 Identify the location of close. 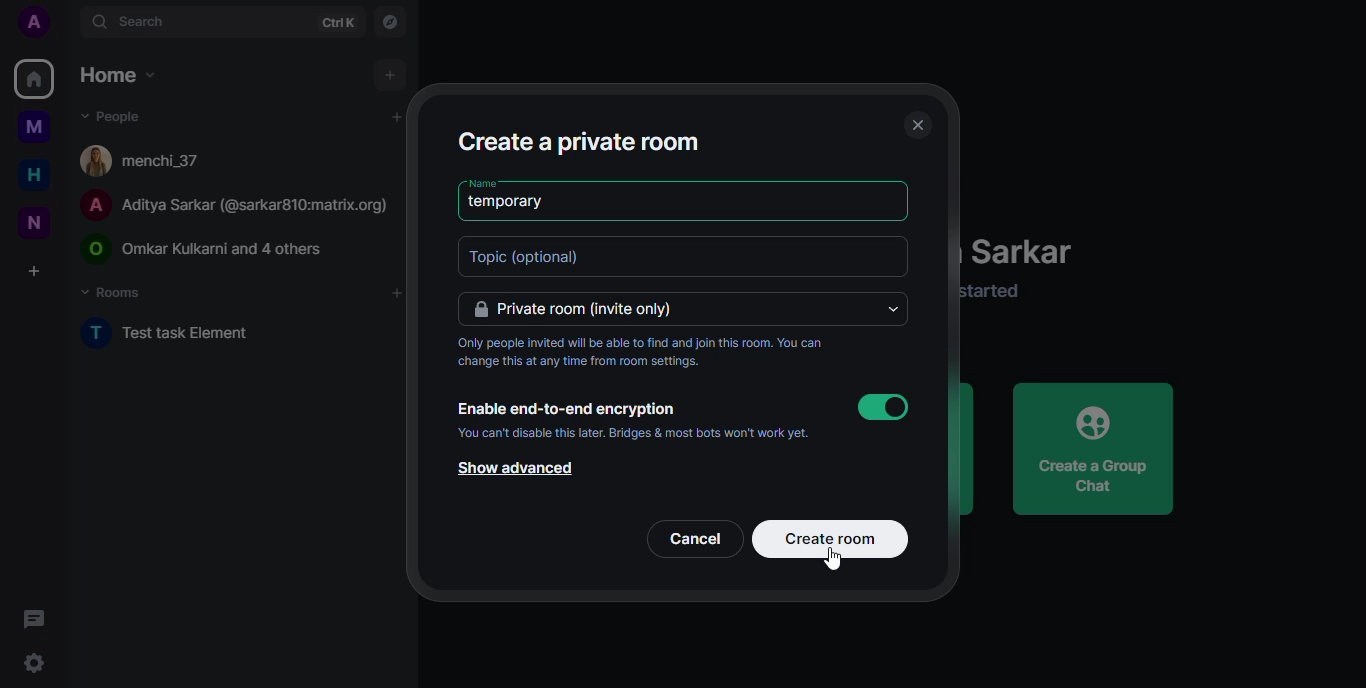
(914, 125).